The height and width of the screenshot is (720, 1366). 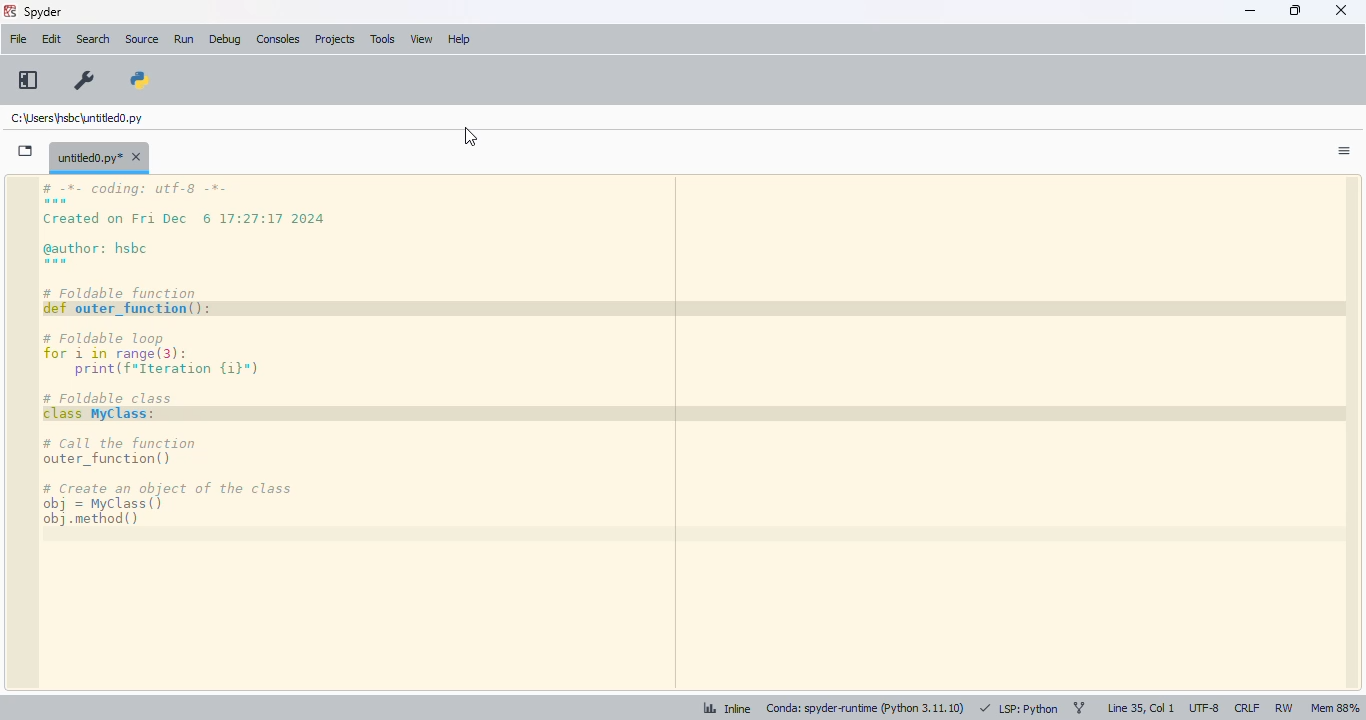 I want to click on untitled0.py, so click(x=76, y=118).